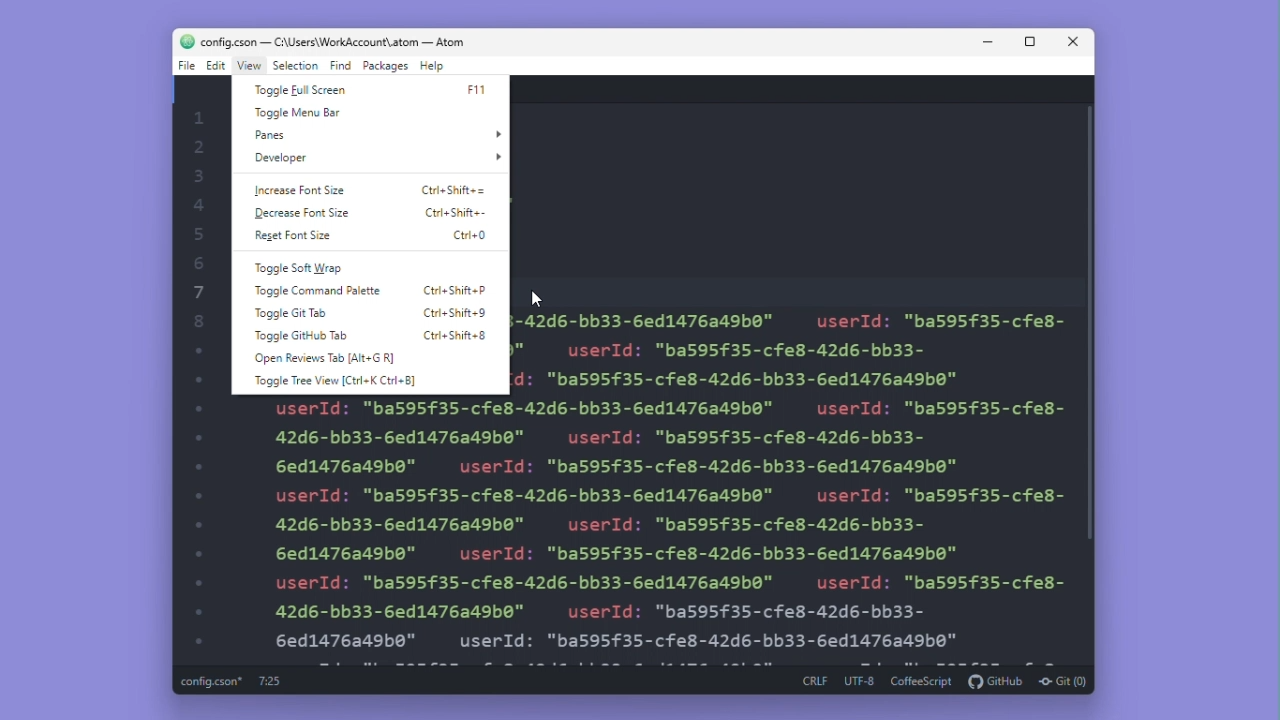  Describe the element at coordinates (670, 529) in the screenshot. I see `userId: "ba595f35-cfe8-42d6-bb33-6ed1476a49b8" userId: "ba595f35-cfe8-42d6-bb33-6ed1476a49b0" userId: "ba595f35-cfe8-42d6-bb33-6ed1476a49b0" userId: "ba595f35-cfe8-42d6-bb33-6ed1476a49b0" userId: "ba595f35-cfe8-42d6-bb33-6ed1476a49b0" userId: "ba595f35-cfe8-42d6-bb33-6ed1476a49b0" userId: "ba595f35-cfe8-42d6-bb33-6ed1476a49b8" userId: "ba595f35-cfe8-42d6-bb33-6ed1476a49be" userId: "ba595f35-cfe8-42d6-bb33-6ed1476a49be" 42d6-bb33-6ed1476a49b0" userId: "ba595f35-cfe8-42d6-bb33-userId: "ba595f35-cfe8-6ed1476a49b8" userId: "ba595f35-cfe8-42d6-bb33-6ed1476a49b0"` at that location.